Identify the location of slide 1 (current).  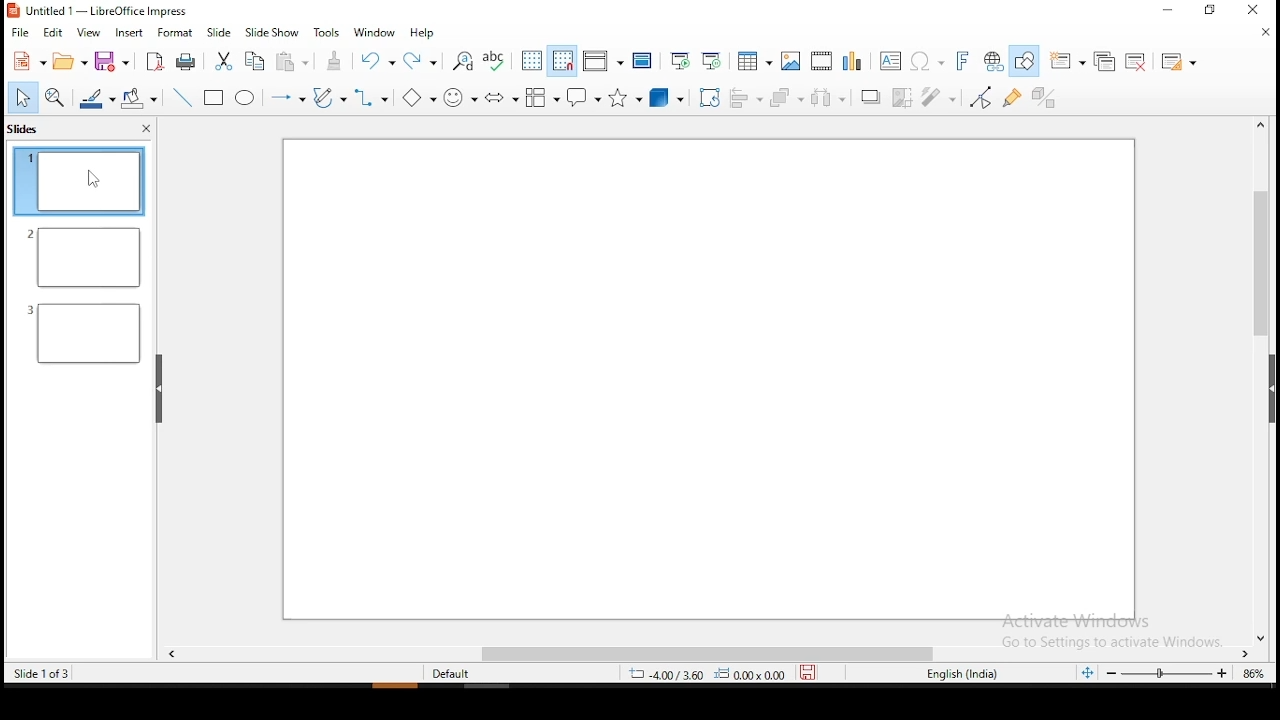
(80, 181).